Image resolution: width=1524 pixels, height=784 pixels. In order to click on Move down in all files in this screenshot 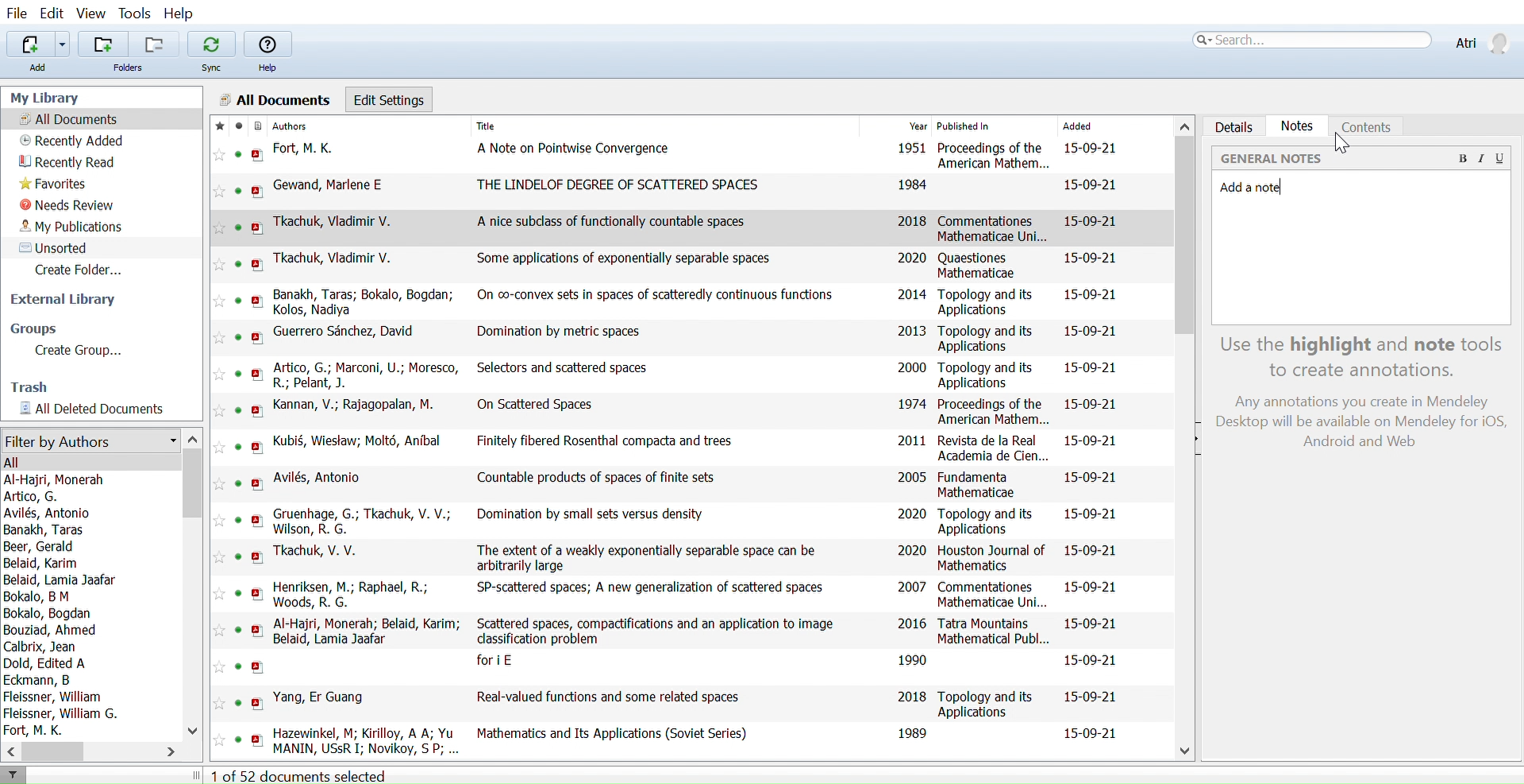, I will do `click(1186, 752)`.